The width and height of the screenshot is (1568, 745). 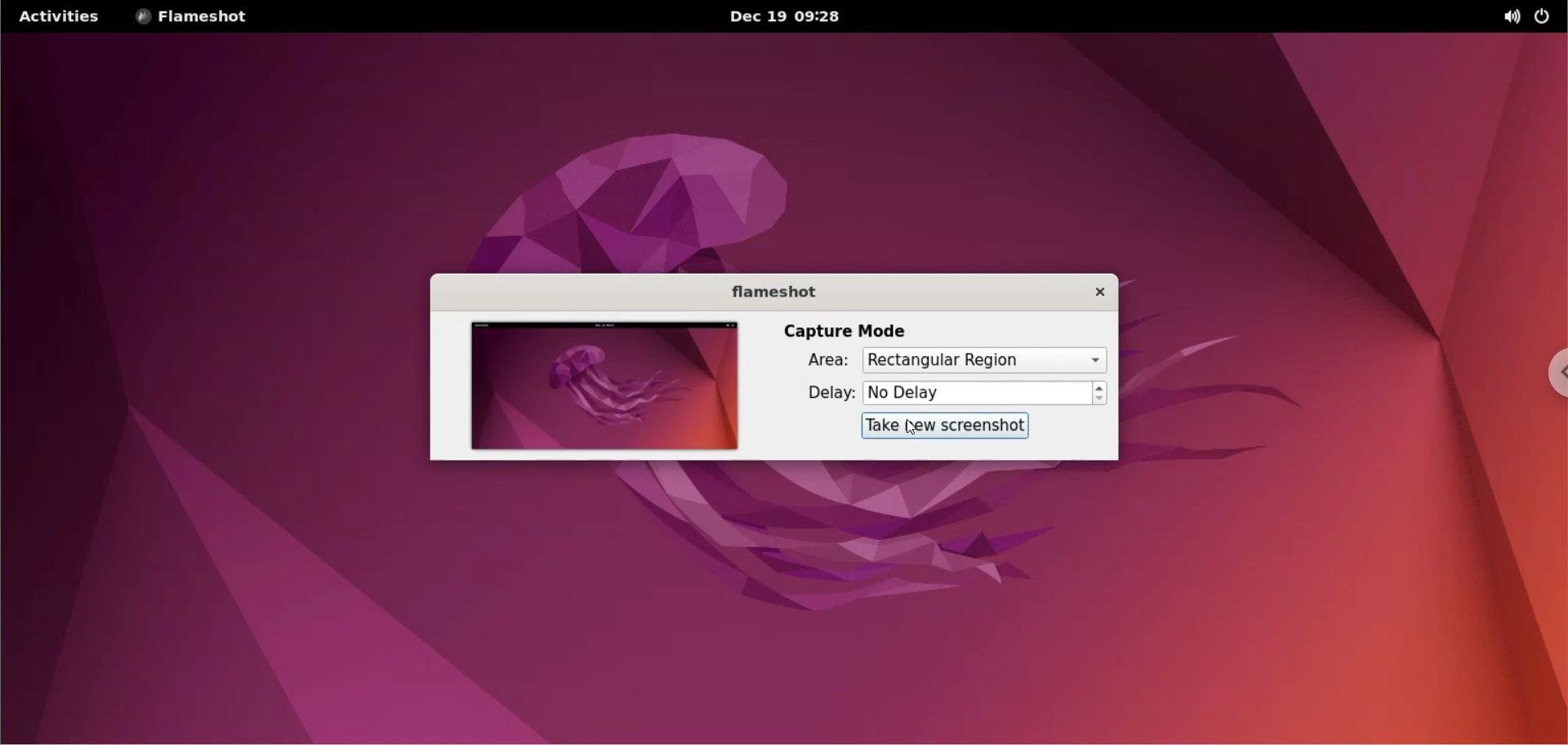 I want to click on capture mode label, so click(x=857, y=330).